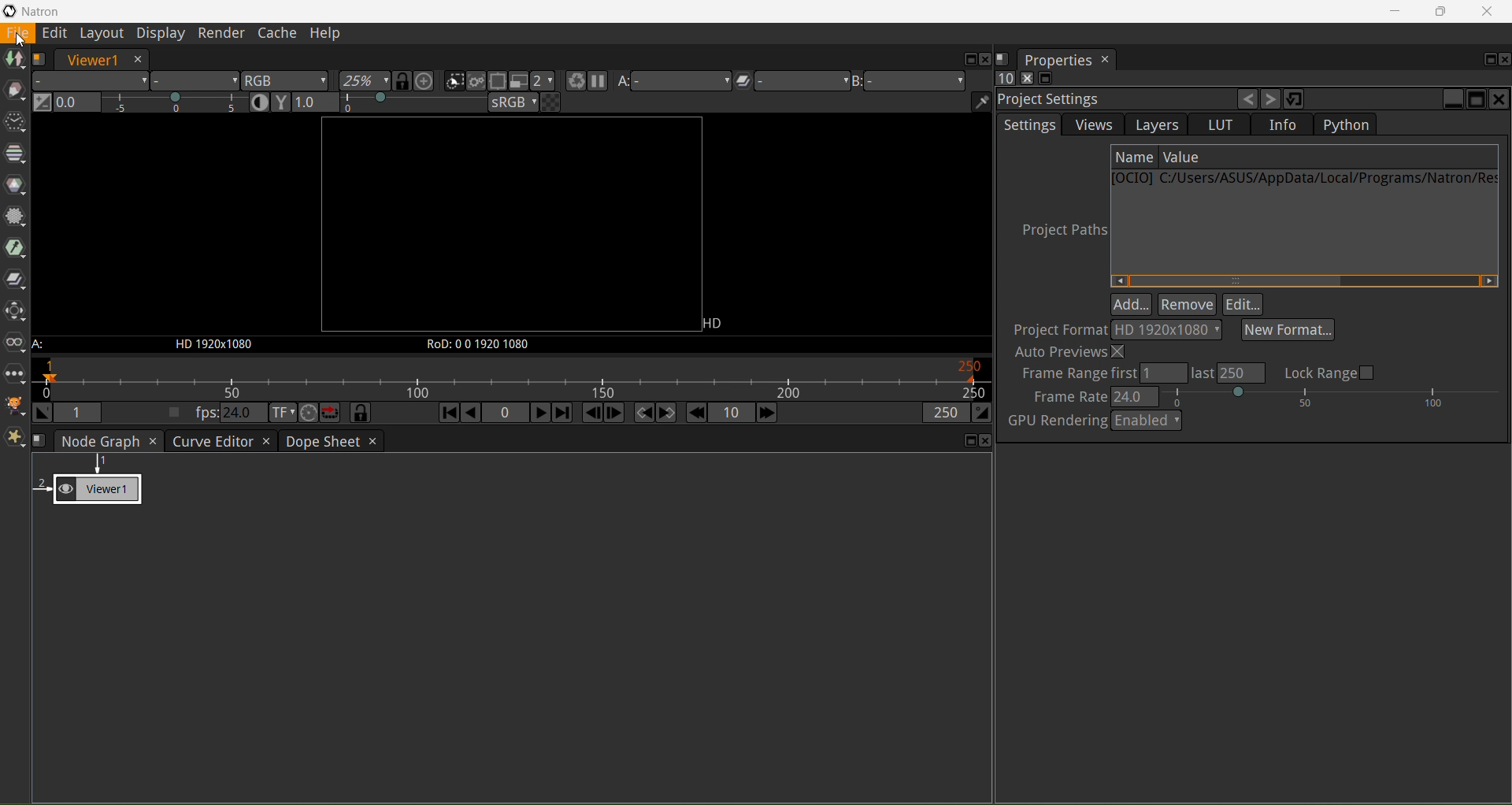  Describe the element at coordinates (153, 442) in the screenshot. I see `Close Tab` at that location.